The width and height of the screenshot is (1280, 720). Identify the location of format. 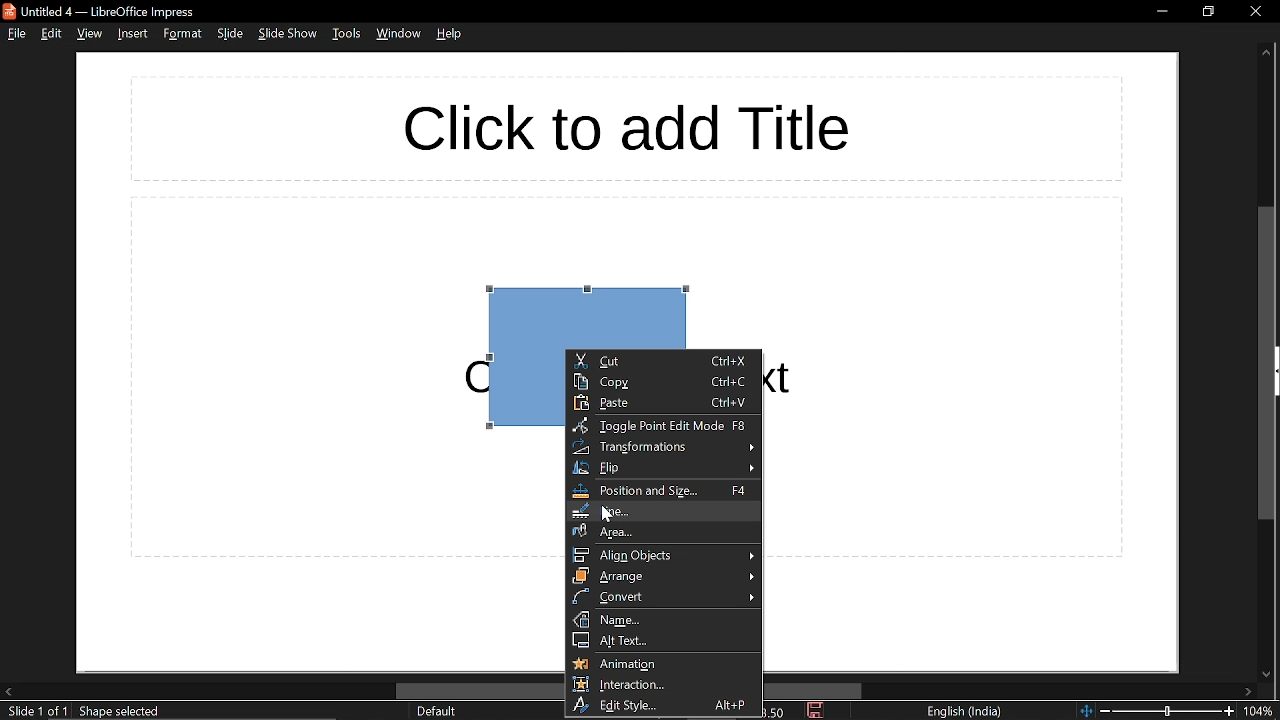
(180, 35).